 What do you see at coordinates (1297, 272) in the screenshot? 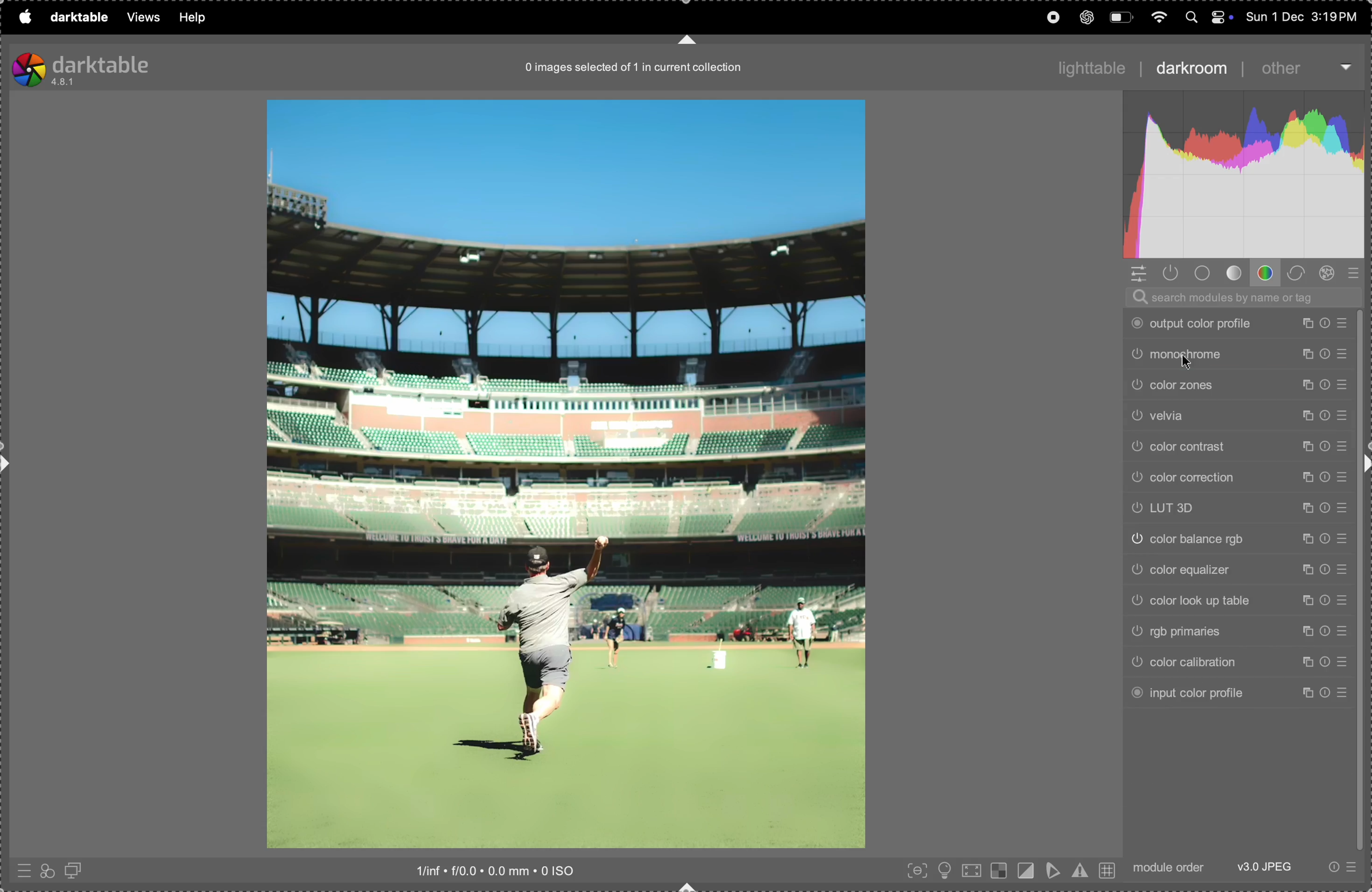
I see `correct` at bounding box center [1297, 272].